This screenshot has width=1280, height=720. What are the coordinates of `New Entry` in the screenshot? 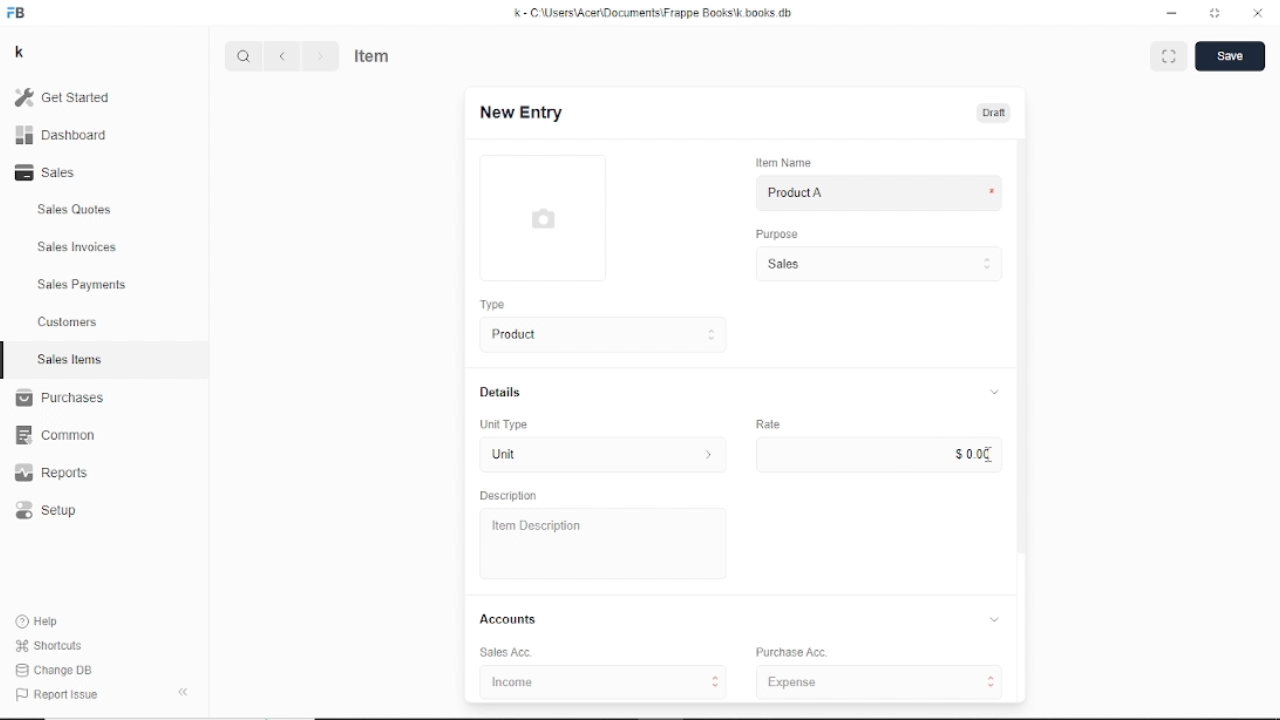 It's located at (520, 112).